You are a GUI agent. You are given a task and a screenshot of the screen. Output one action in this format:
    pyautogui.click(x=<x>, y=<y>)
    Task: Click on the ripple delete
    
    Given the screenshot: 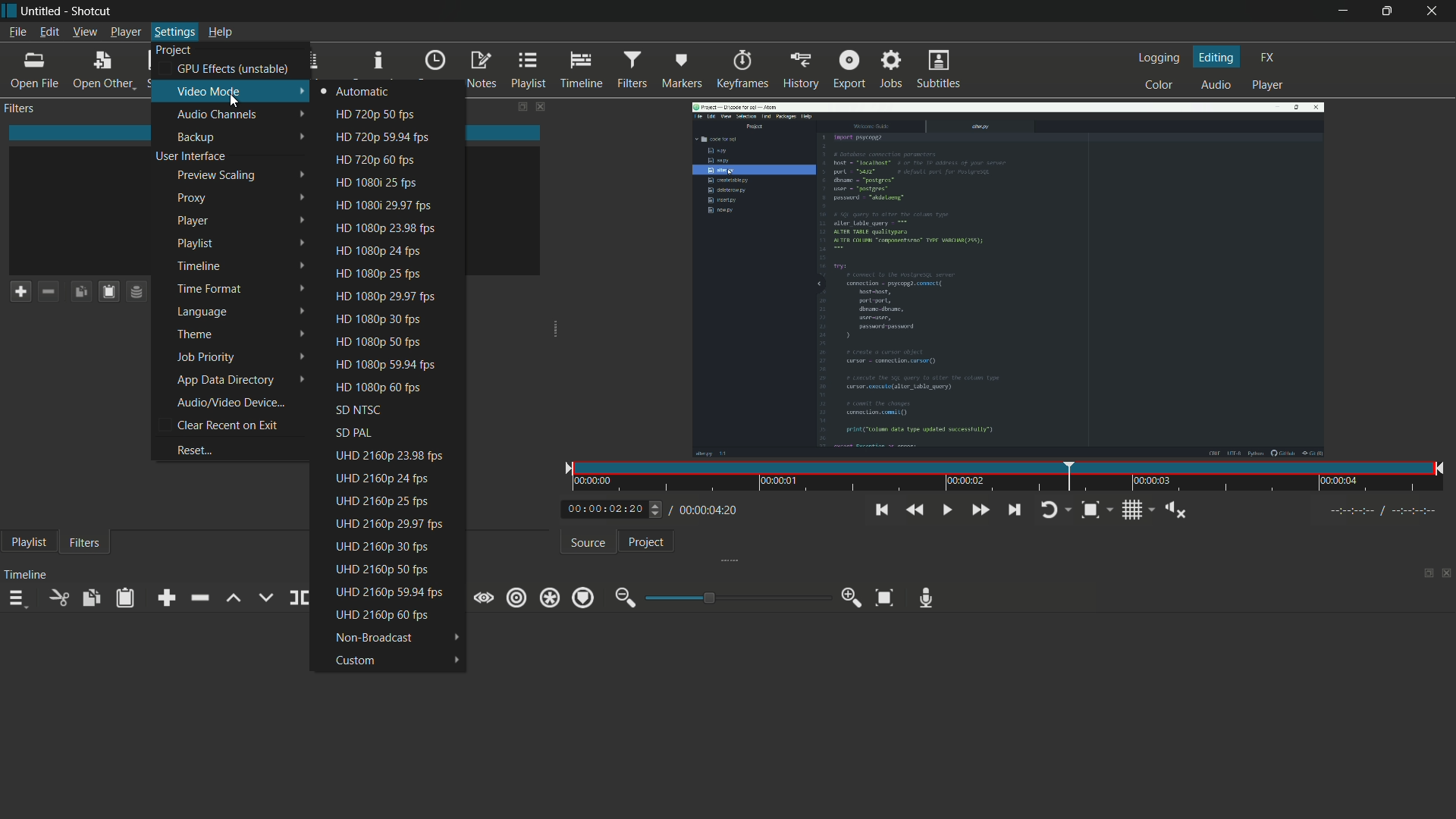 What is the action you would take?
    pyautogui.click(x=199, y=598)
    